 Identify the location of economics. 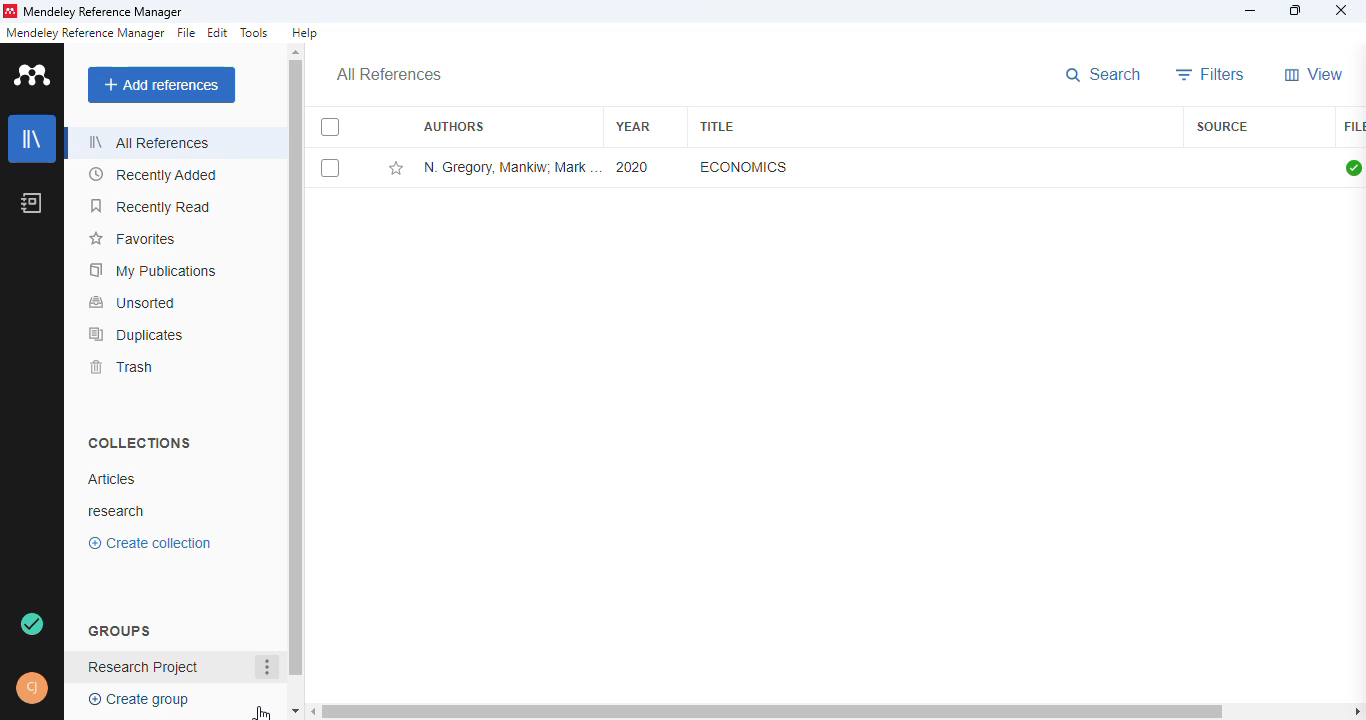
(744, 166).